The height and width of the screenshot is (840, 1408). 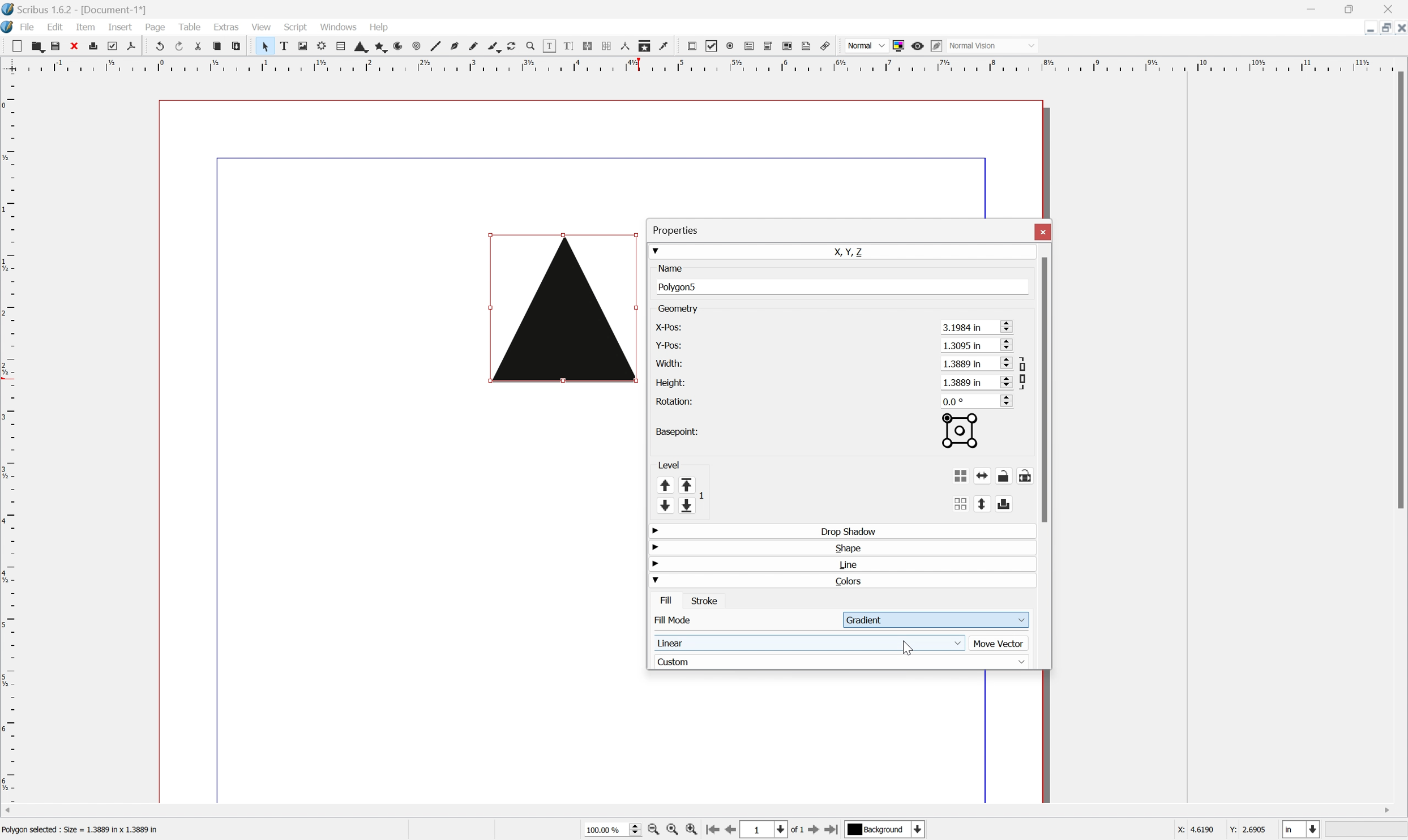 What do you see at coordinates (867, 620) in the screenshot?
I see `Gradient` at bounding box center [867, 620].